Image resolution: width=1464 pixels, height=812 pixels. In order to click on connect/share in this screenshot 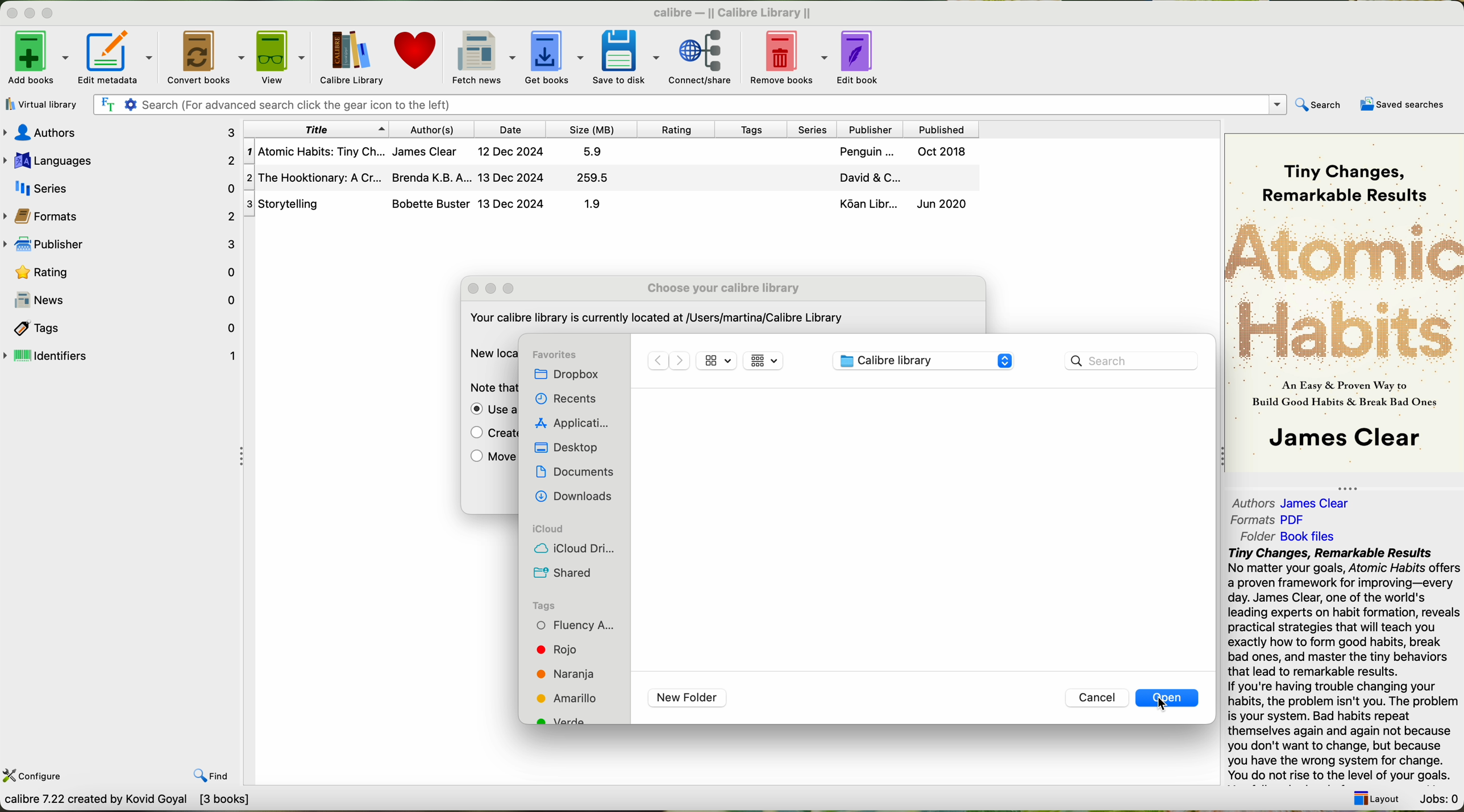, I will do `click(702, 57)`.